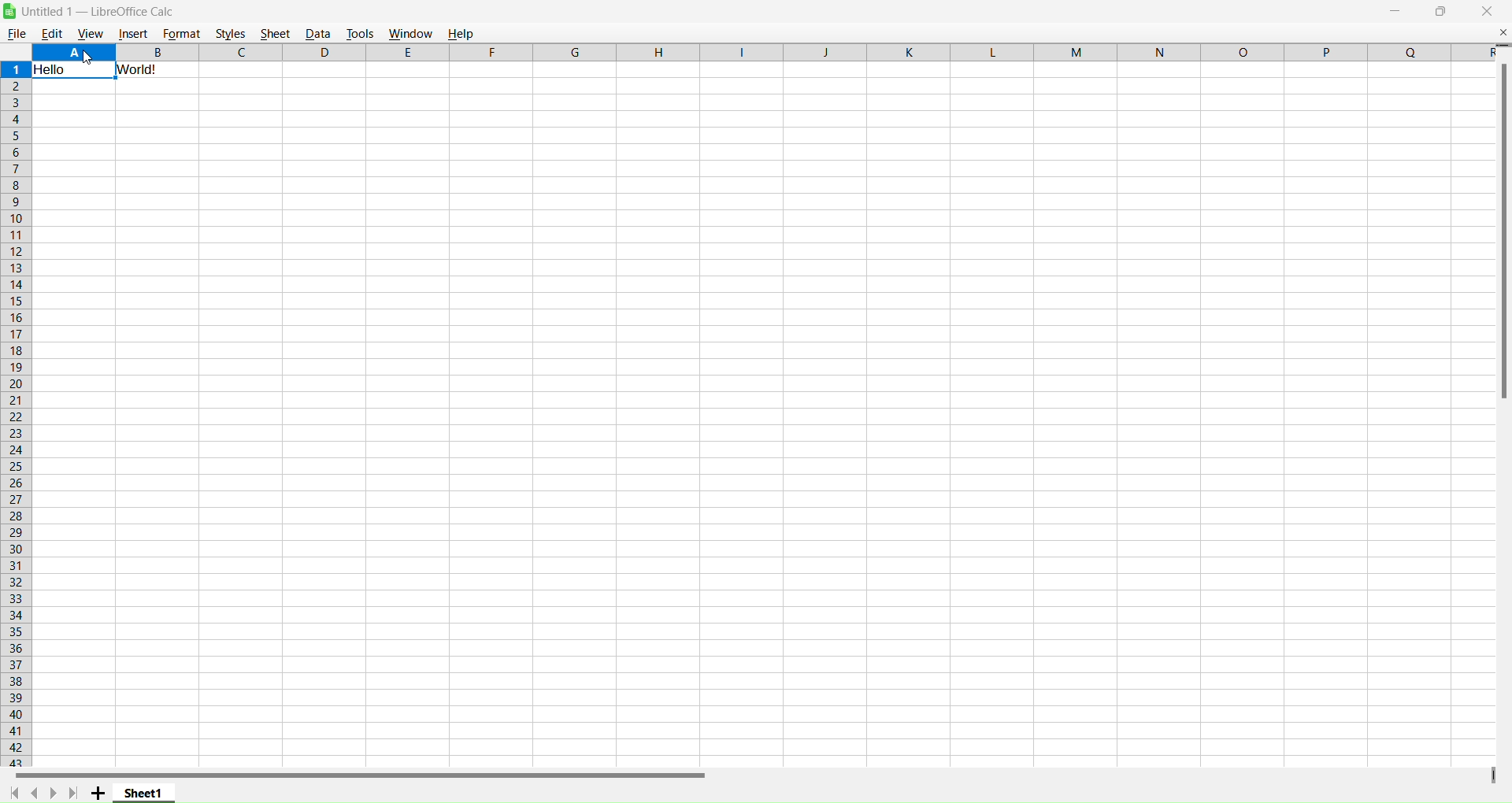  What do you see at coordinates (54, 69) in the screenshot?
I see `Hello` at bounding box center [54, 69].